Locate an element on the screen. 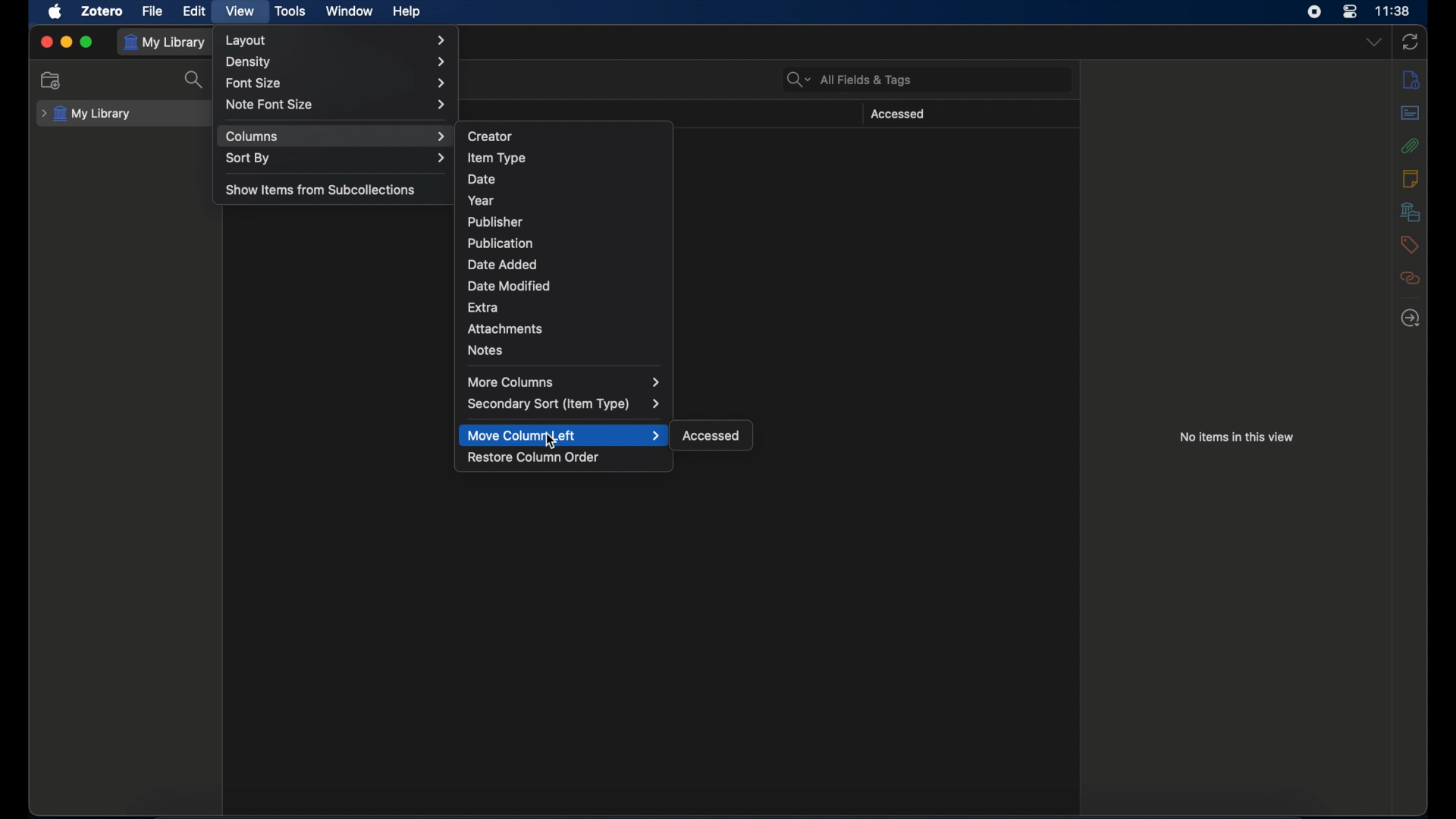 The width and height of the screenshot is (1456, 819). notes is located at coordinates (485, 350).